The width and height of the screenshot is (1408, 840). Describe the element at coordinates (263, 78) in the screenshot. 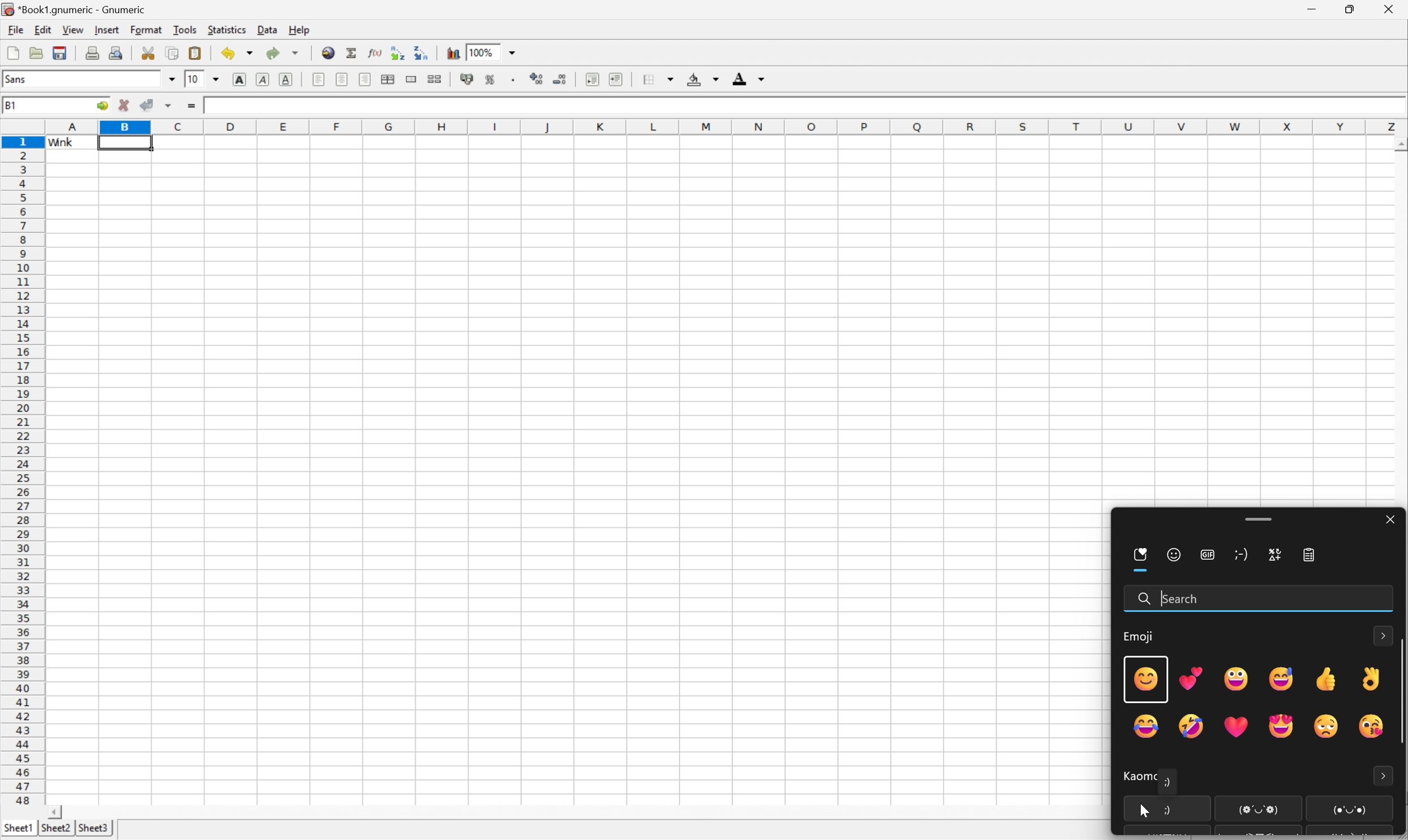

I see `italic` at that location.